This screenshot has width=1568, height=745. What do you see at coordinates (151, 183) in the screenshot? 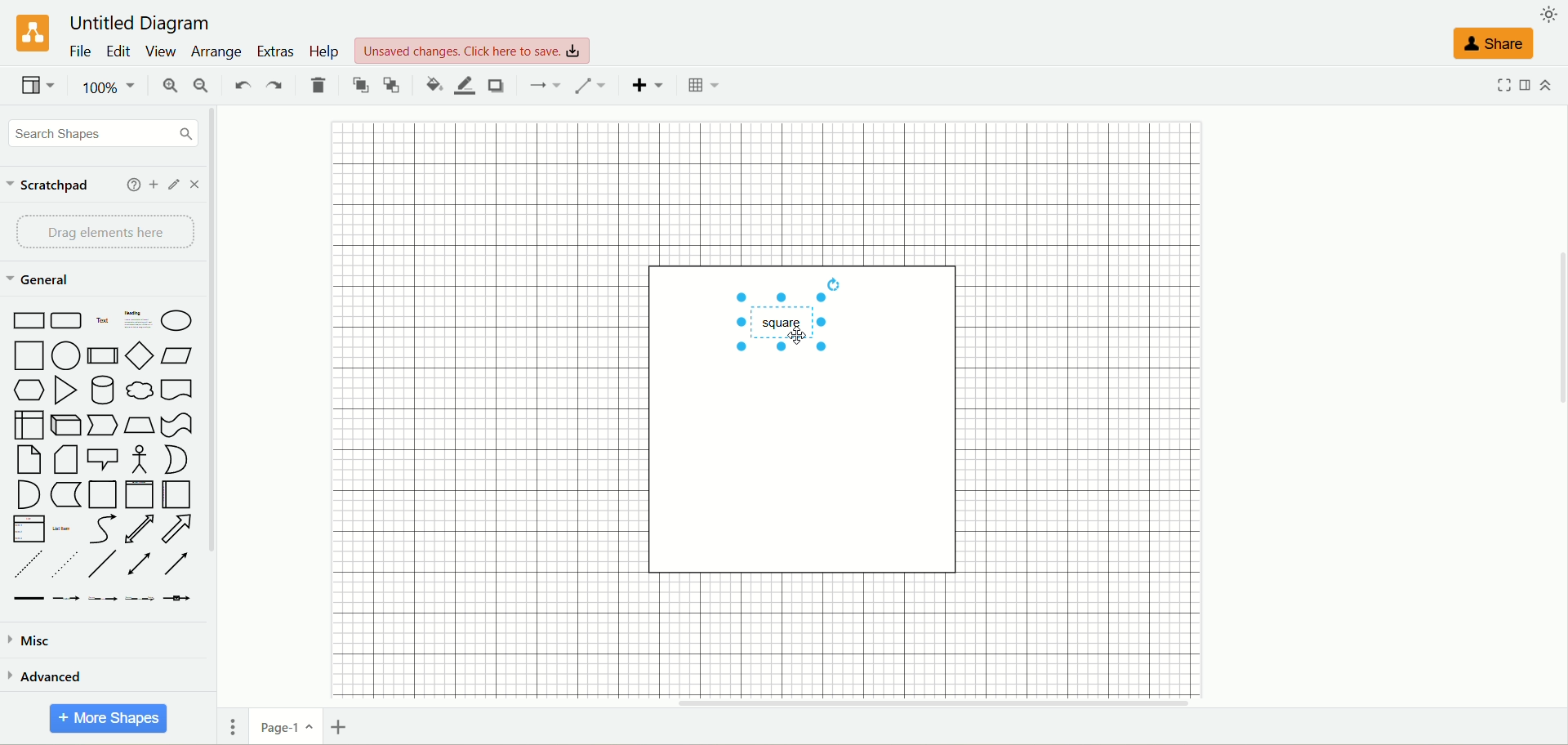
I see `add` at bounding box center [151, 183].